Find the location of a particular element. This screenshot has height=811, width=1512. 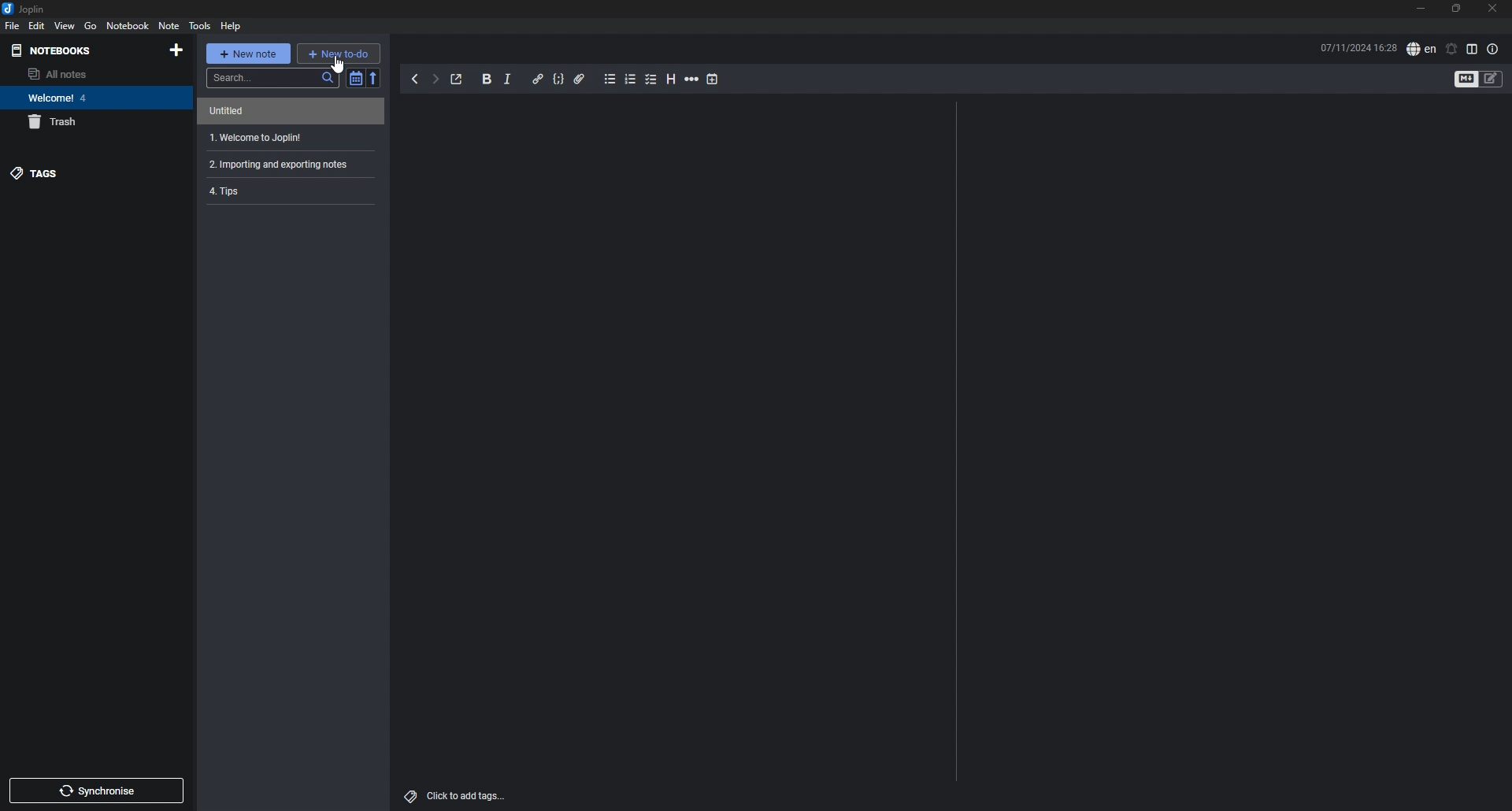

code is located at coordinates (559, 80).